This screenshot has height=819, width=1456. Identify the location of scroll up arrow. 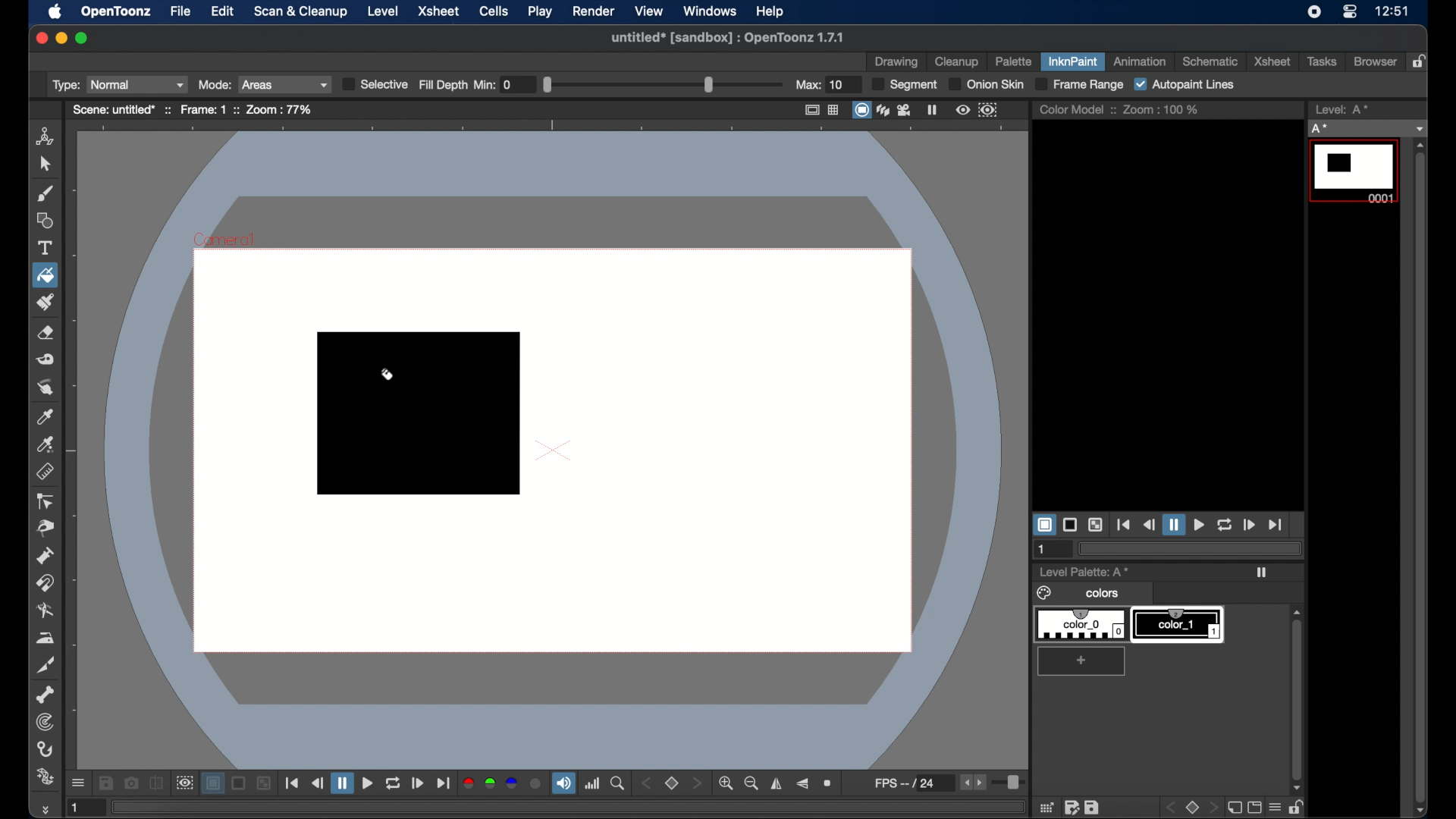
(1420, 145).